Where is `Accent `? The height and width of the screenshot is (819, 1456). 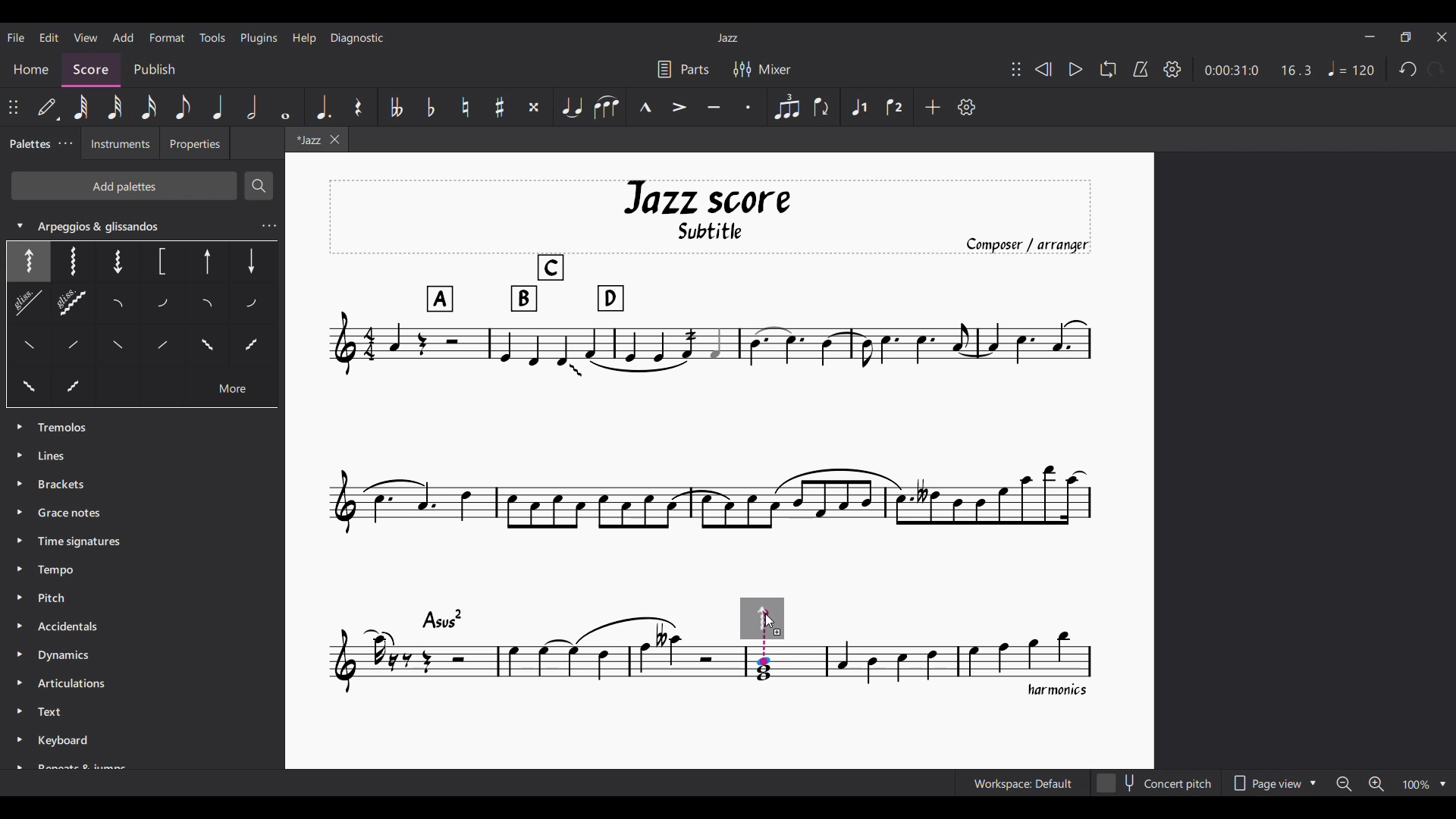 Accent  is located at coordinates (679, 107).